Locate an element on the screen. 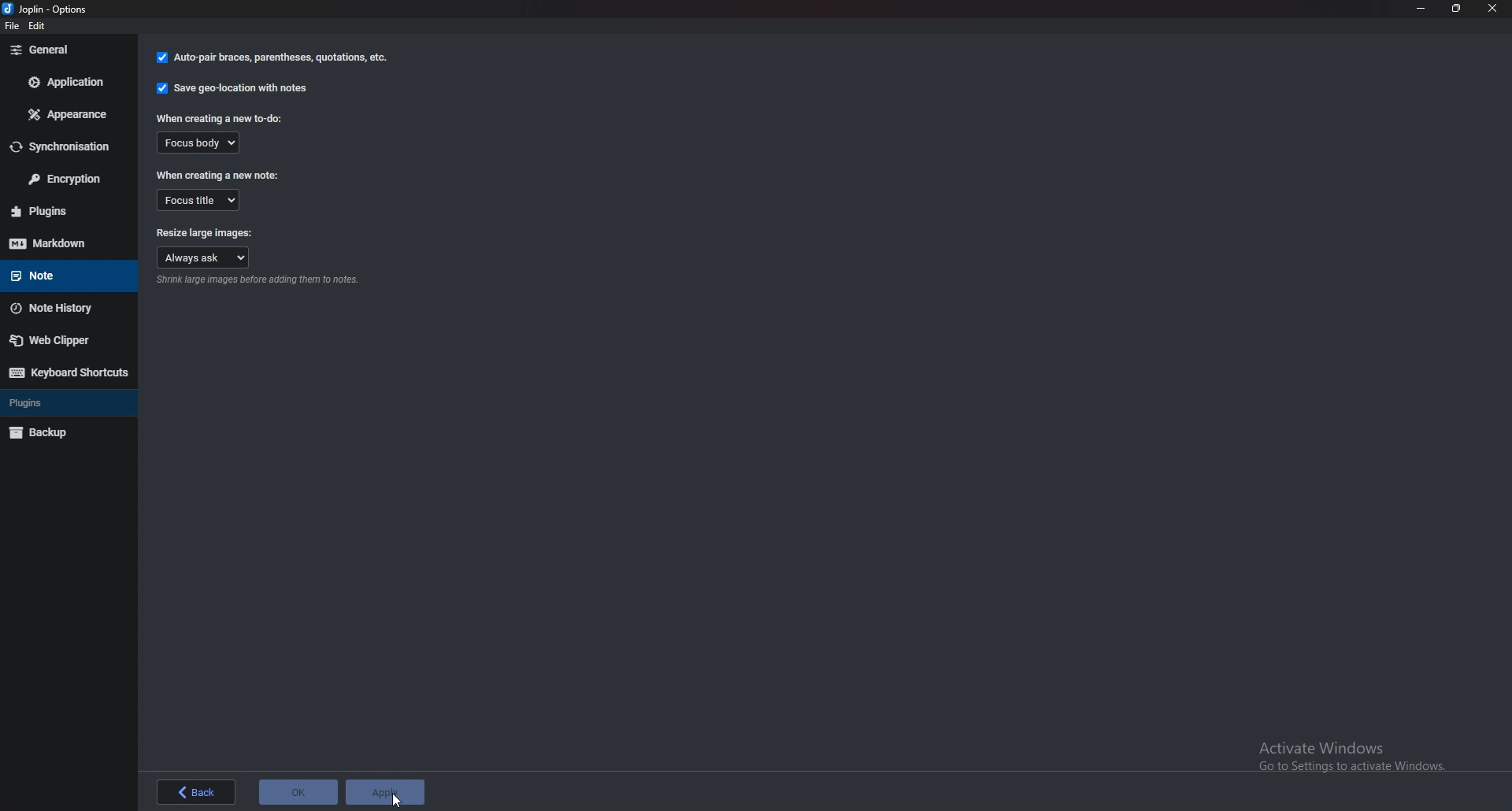 This screenshot has width=1512, height=811. Close is located at coordinates (1492, 8).